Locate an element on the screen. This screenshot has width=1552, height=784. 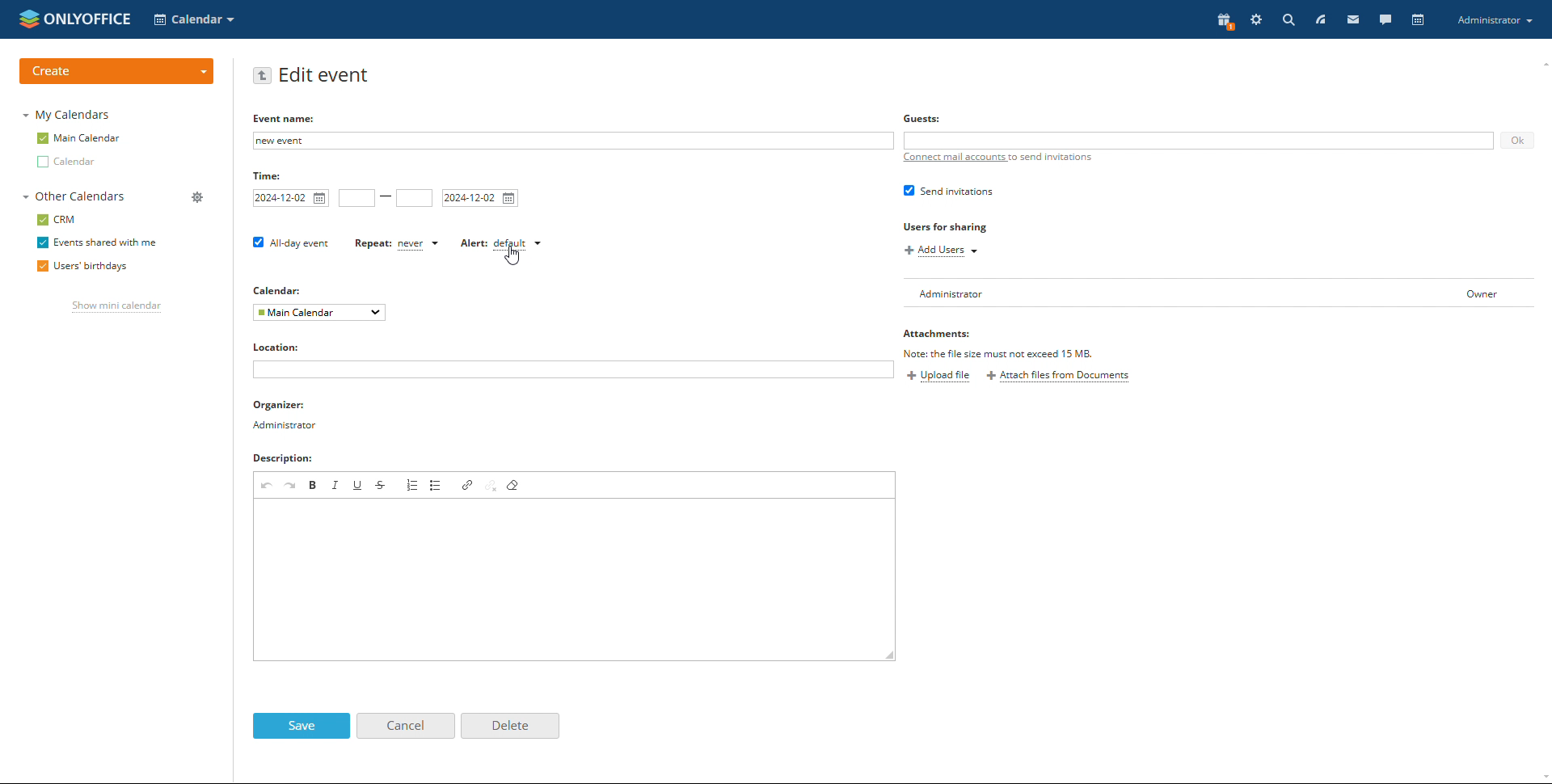
bold is located at coordinates (313, 485).